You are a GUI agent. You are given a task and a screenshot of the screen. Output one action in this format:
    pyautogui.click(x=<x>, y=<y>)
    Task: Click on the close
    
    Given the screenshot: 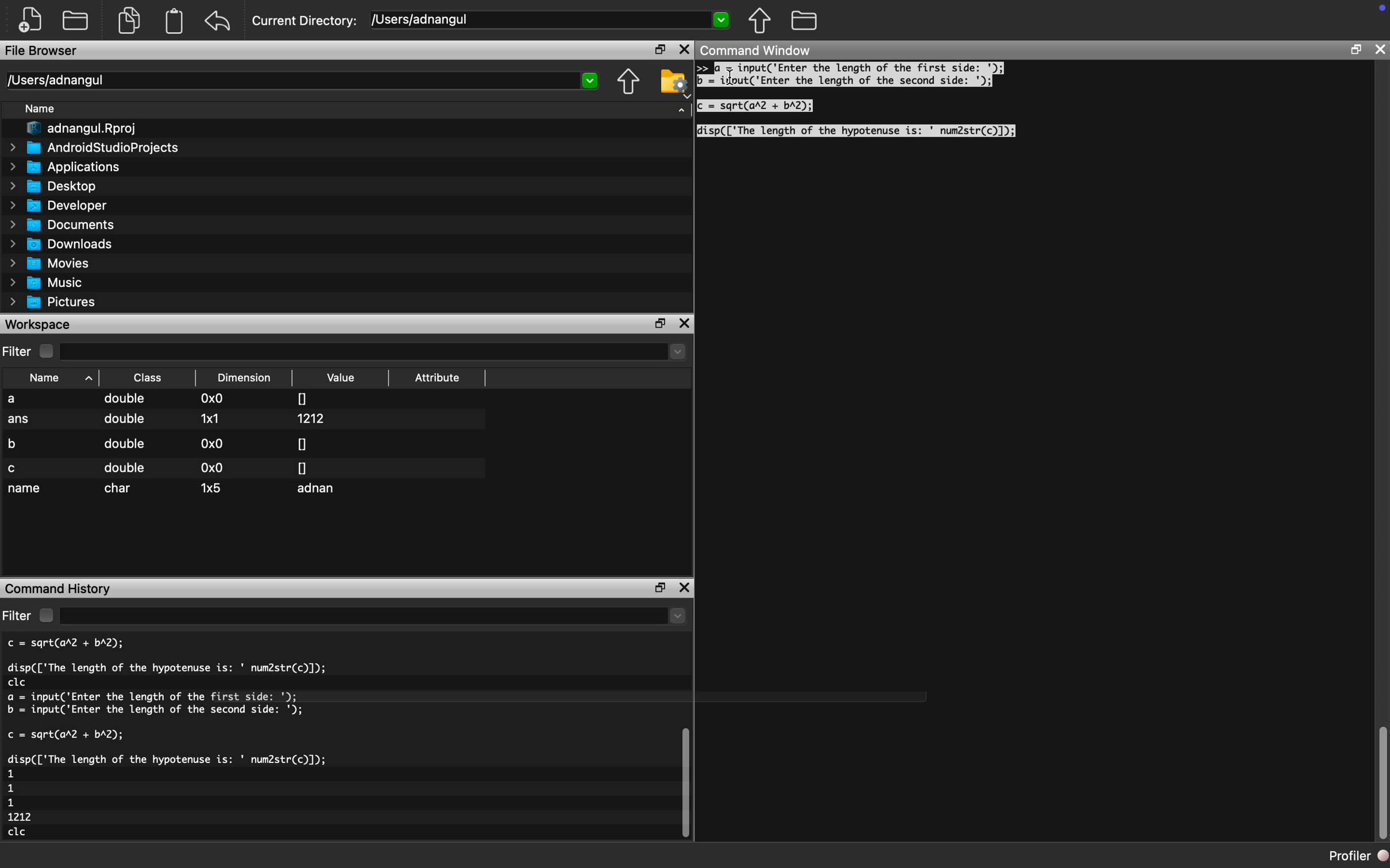 What is the action you would take?
    pyautogui.click(x=1381, y=49)
    